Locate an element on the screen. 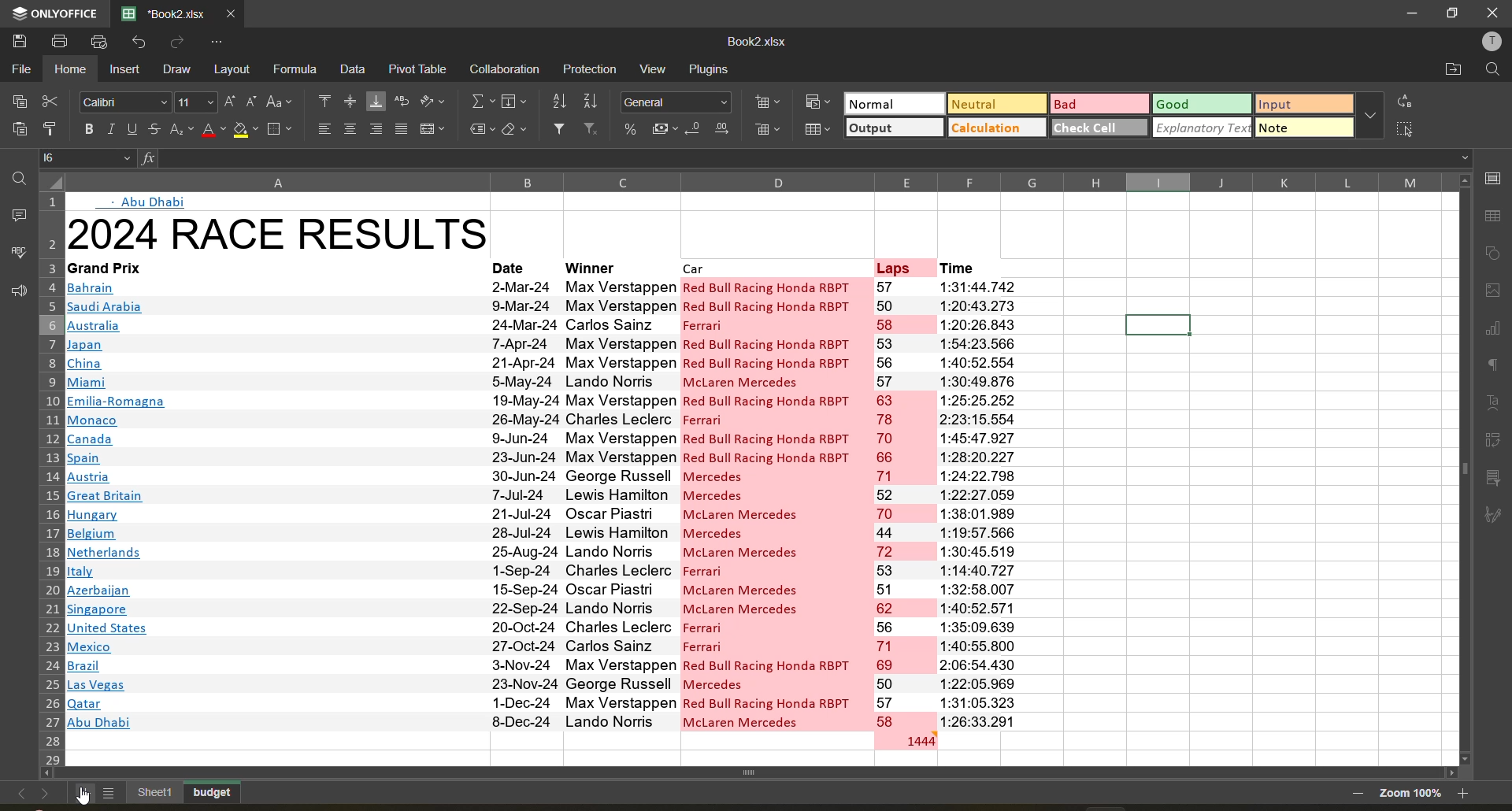 This screenshot has height=811, width=1512. cell settings is located at coordinates (1493, 179).